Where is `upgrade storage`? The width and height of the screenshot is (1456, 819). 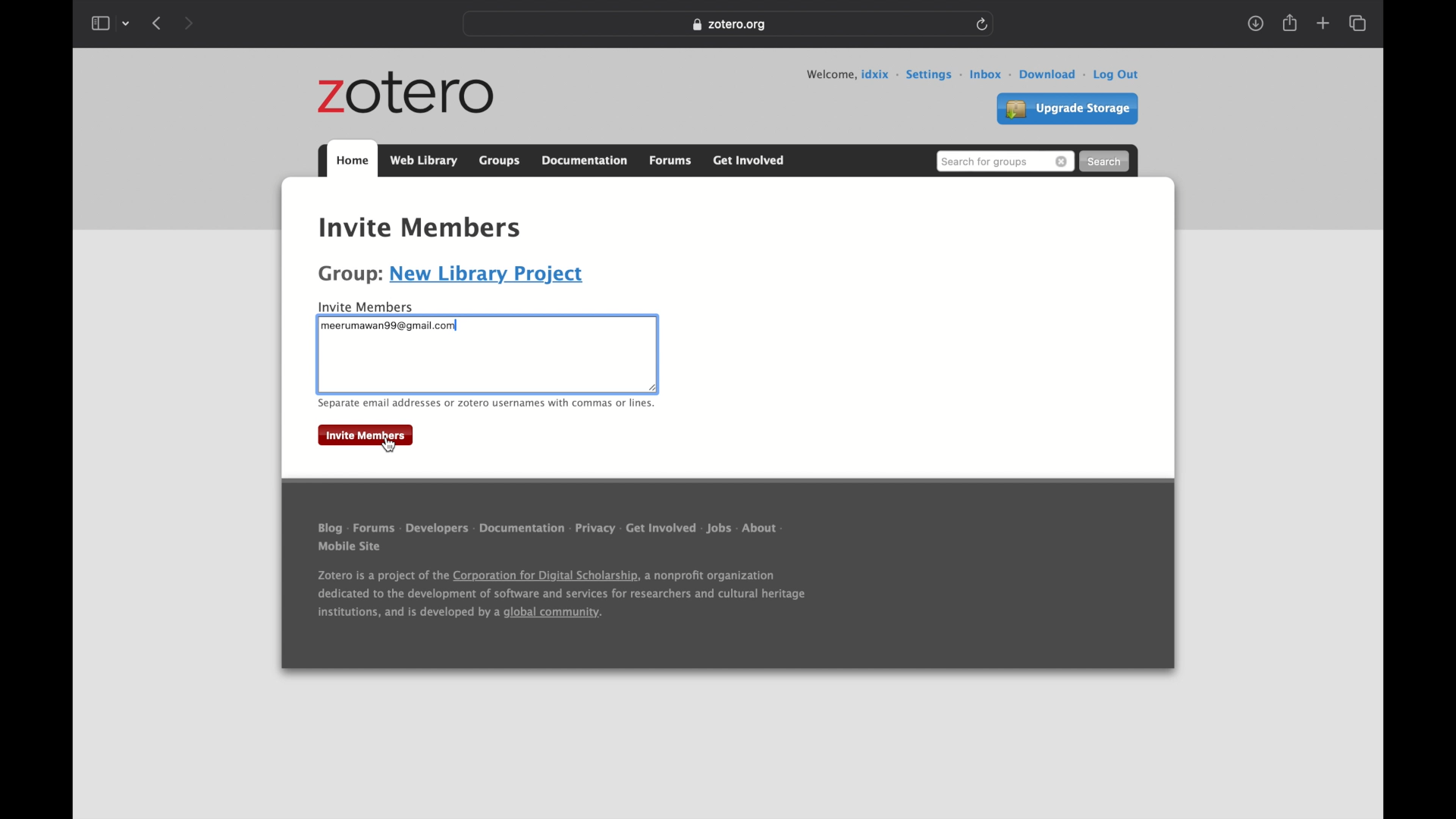 upgrade storage is located at coordinates (1066, 110).